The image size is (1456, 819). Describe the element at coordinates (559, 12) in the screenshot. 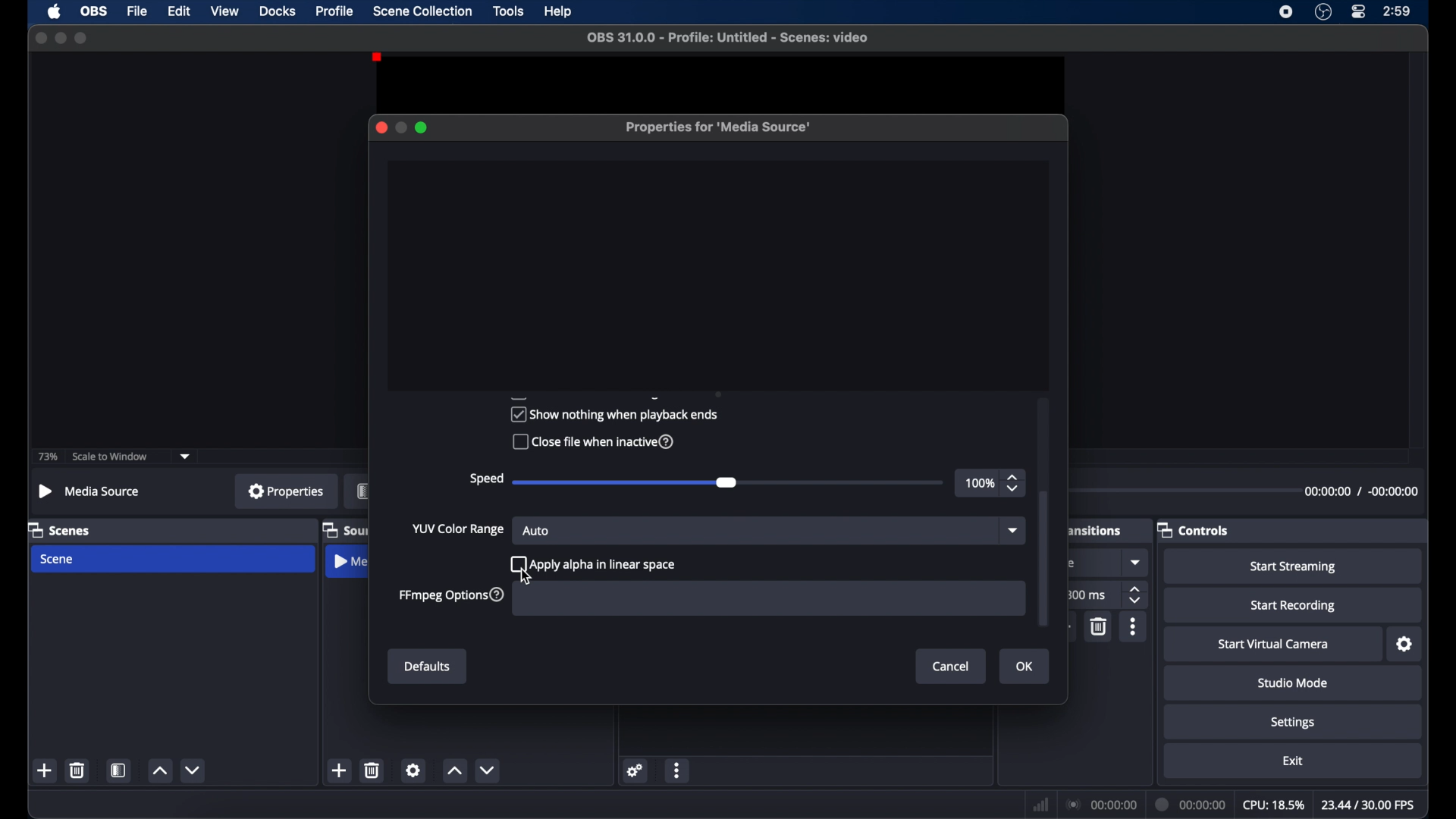

I see `help` at that location.